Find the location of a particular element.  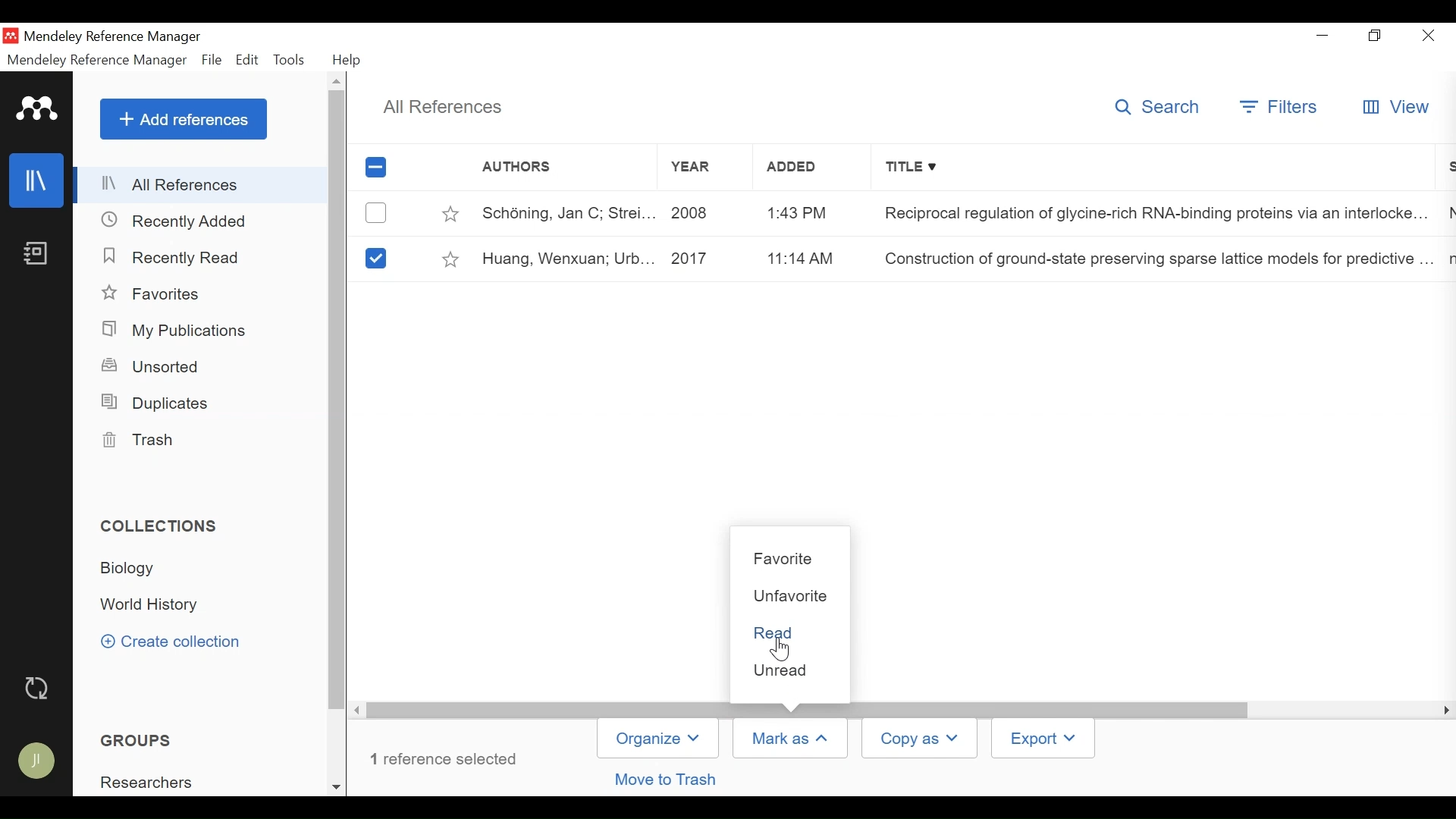

Title is located at coordinates (1156, 169).